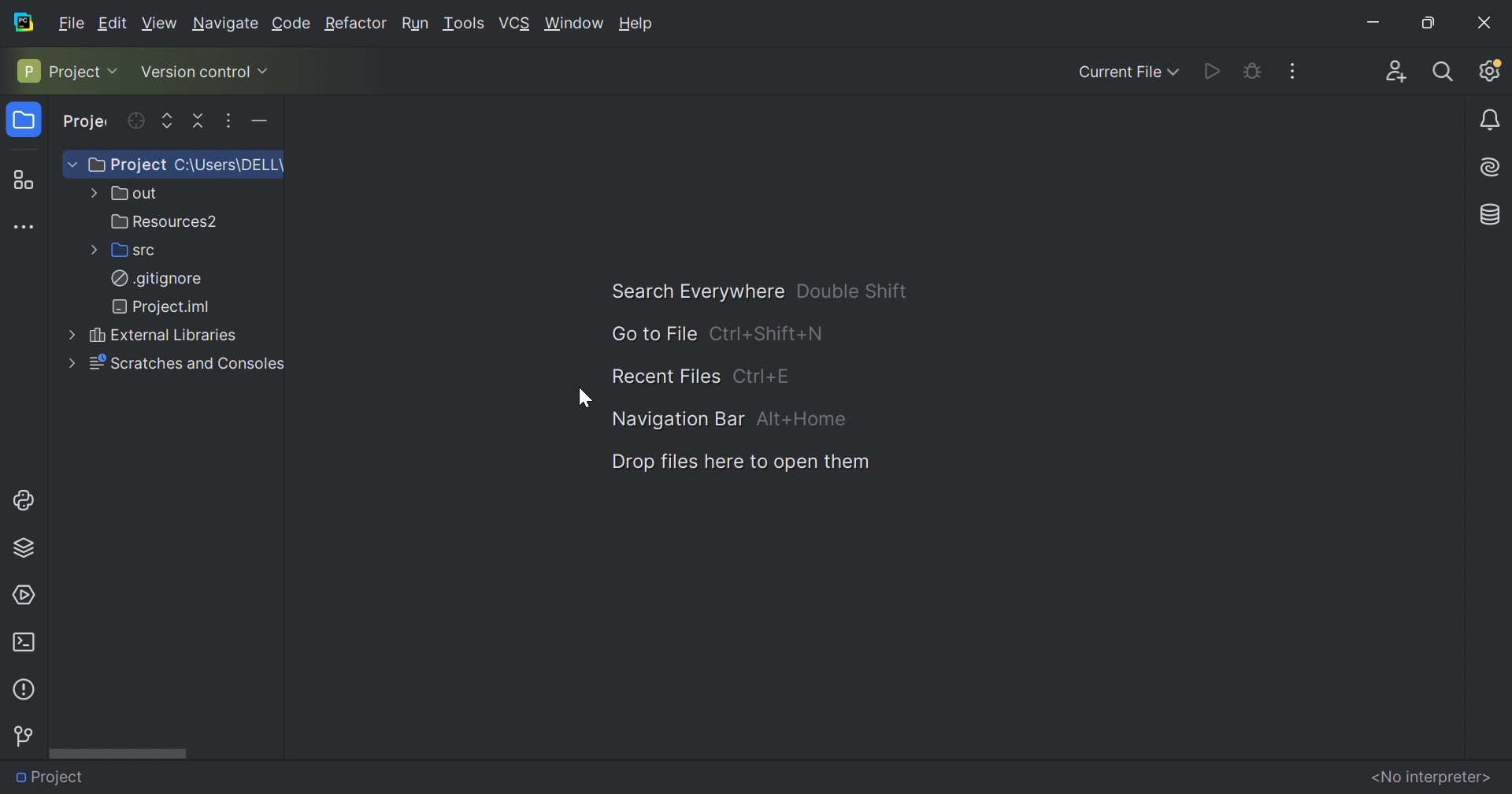 Image resolution: width=1512 pixels, height=794 pixels. What do you see at coordinates (289, 23) in the screenshot?
I see `Code` at bounding box center [289, 23].